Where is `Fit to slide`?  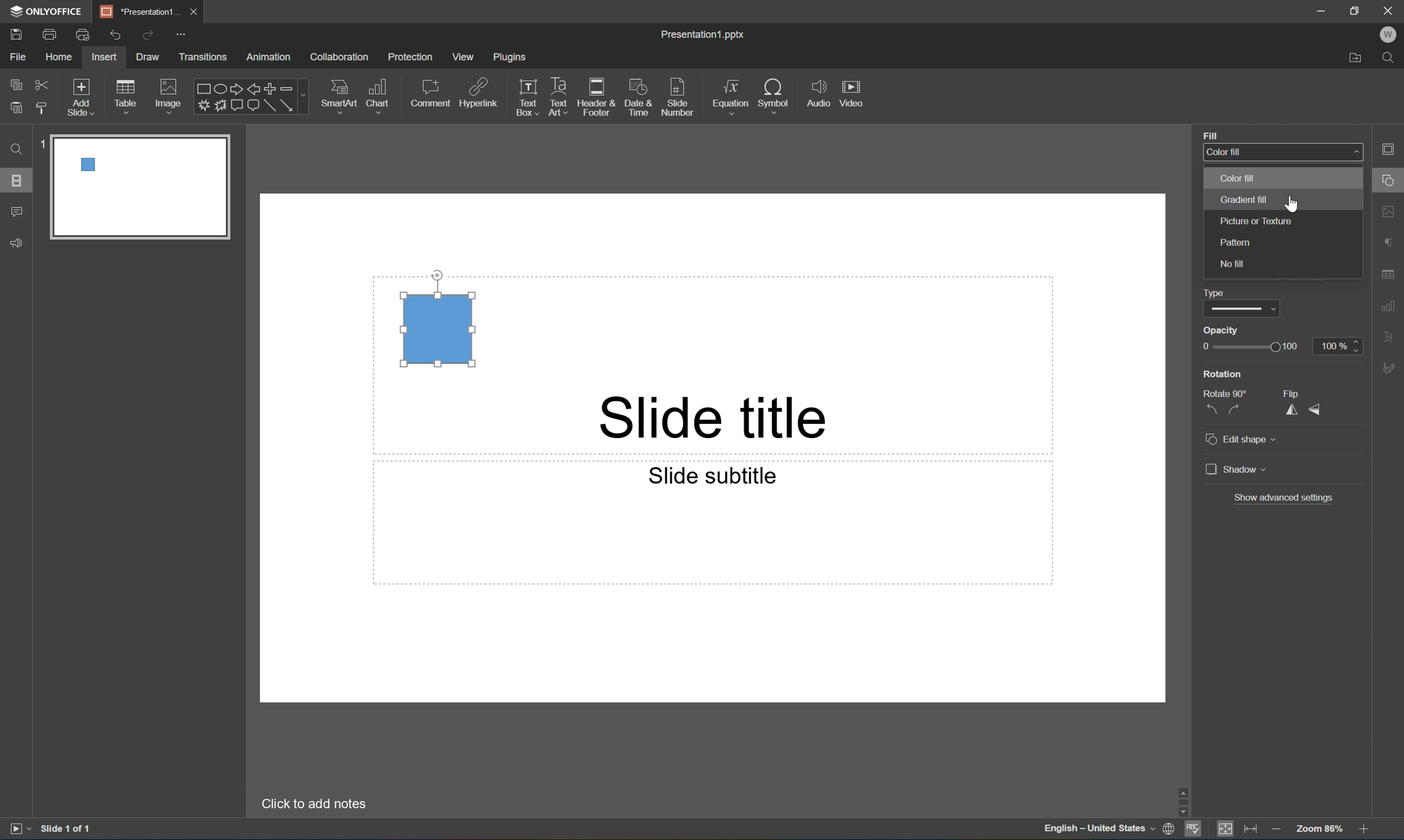
Fit to slide is located at coordinates (1225, 829).